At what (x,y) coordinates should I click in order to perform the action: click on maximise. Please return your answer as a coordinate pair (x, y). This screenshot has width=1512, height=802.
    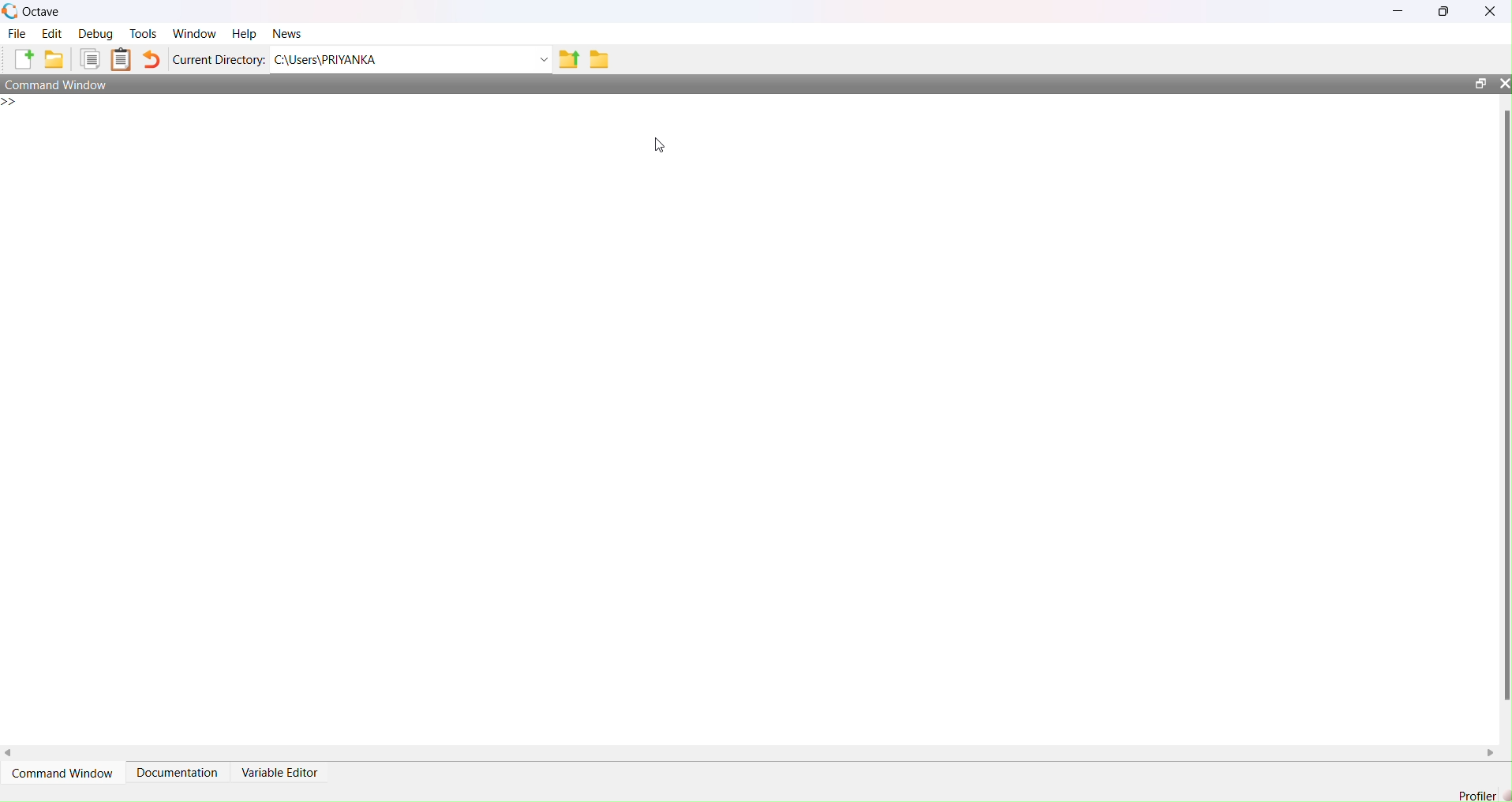
    Looking at the image, I should click on (1450, 13).